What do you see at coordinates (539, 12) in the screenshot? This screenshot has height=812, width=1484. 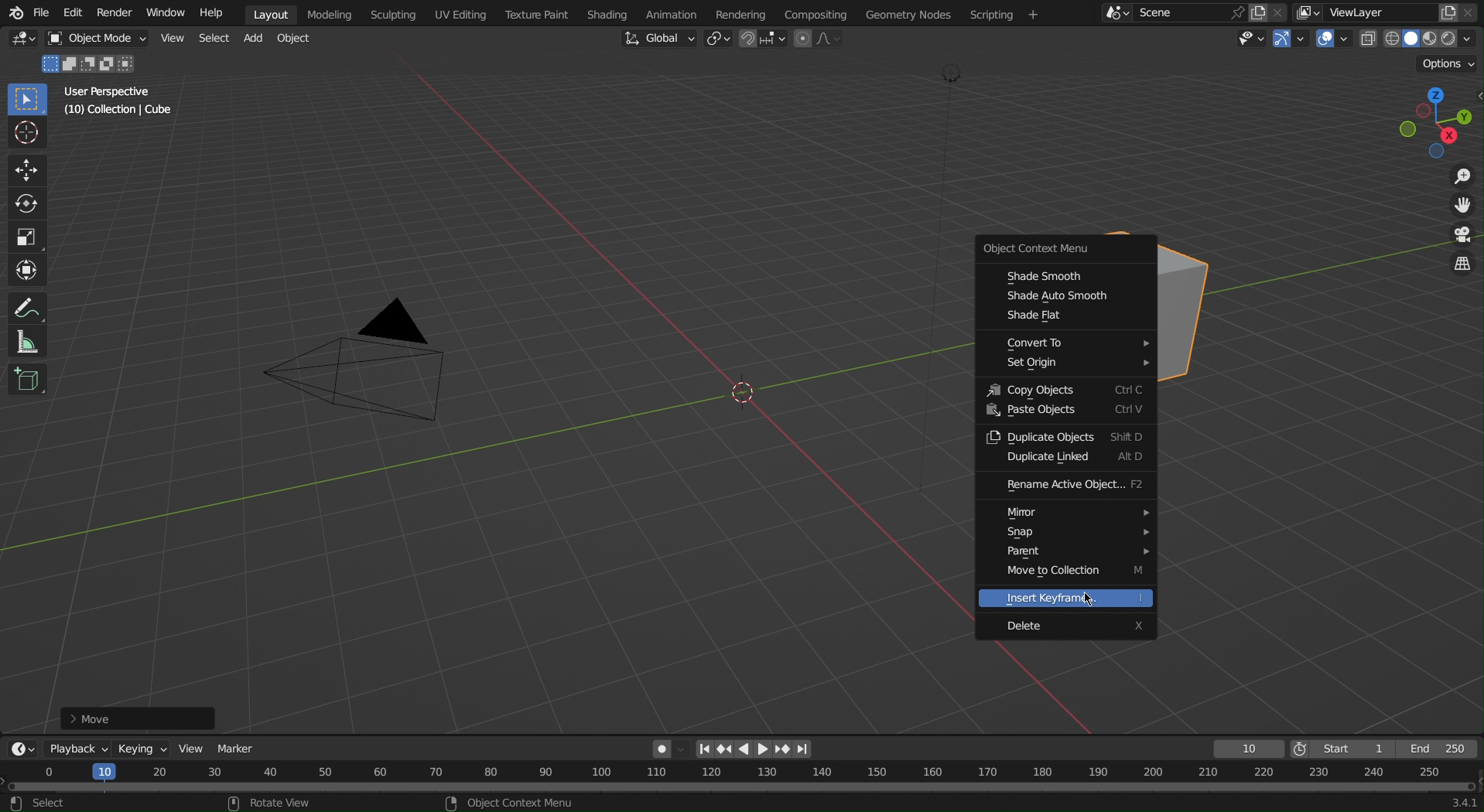 I see `Texture Paint` at bounding box center [539, 12].